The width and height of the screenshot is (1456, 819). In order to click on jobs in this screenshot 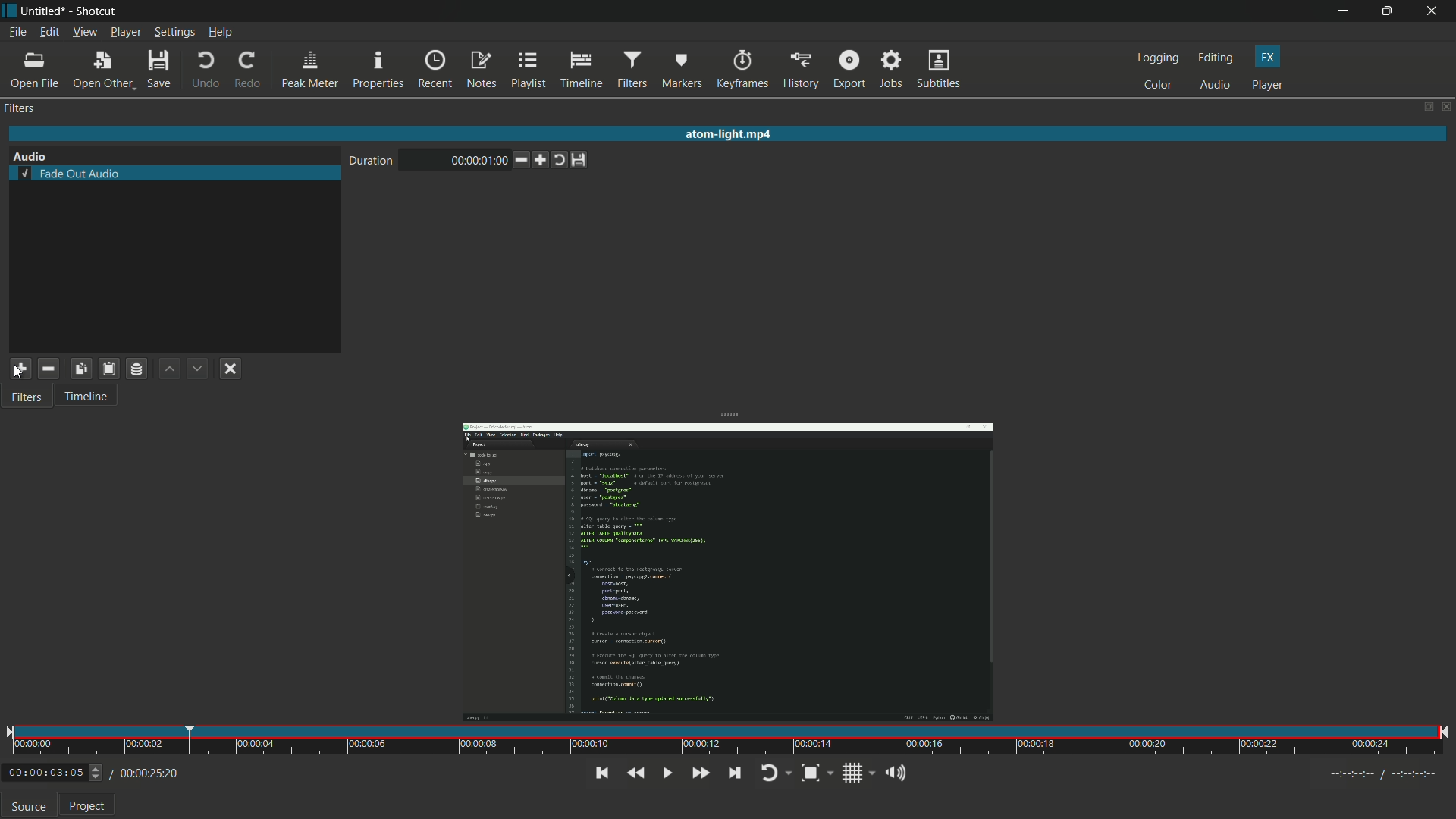, I will do `click(889, 70)`.